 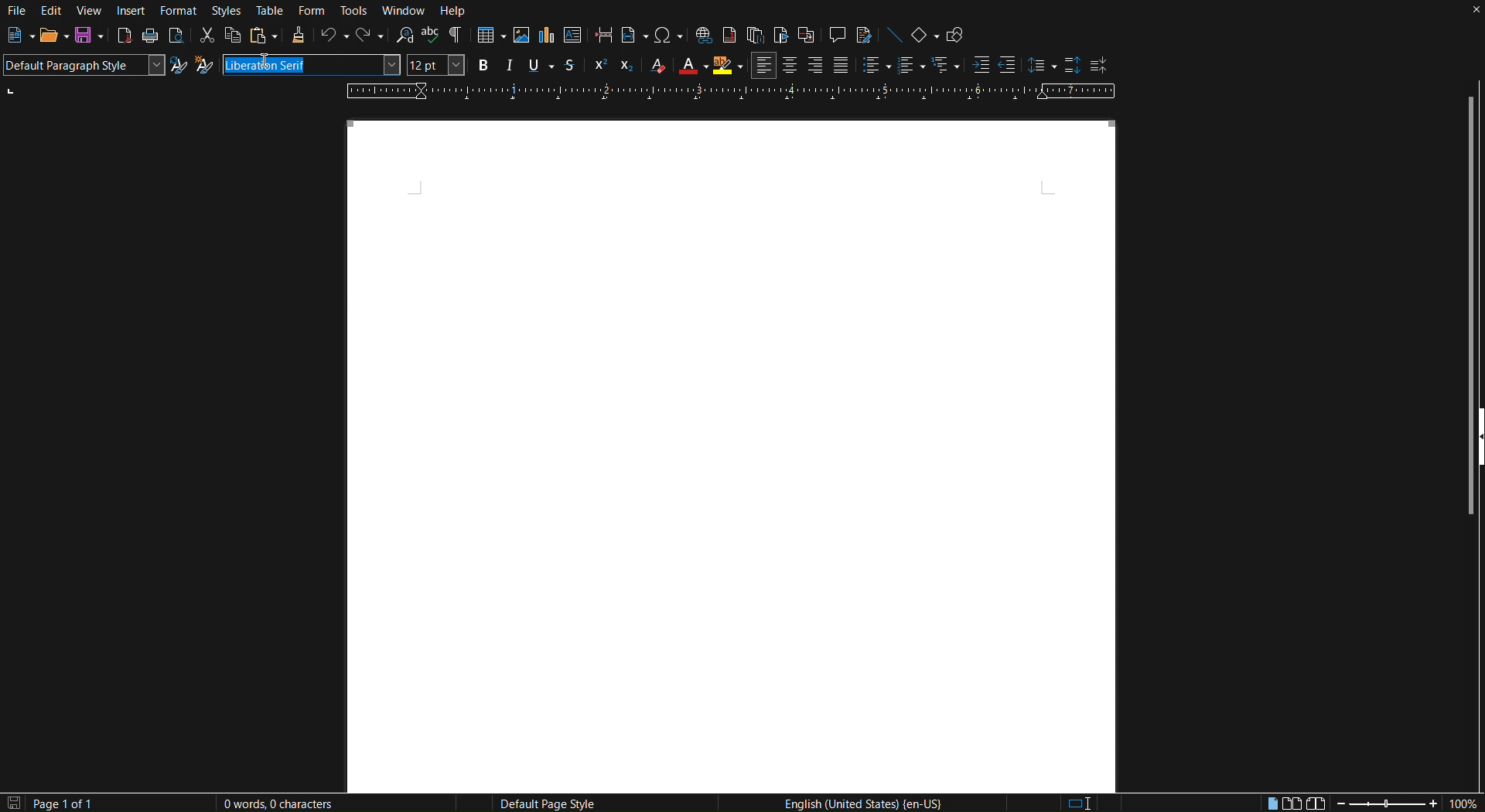 I want to click on Italics, so click(x=510, y=65).